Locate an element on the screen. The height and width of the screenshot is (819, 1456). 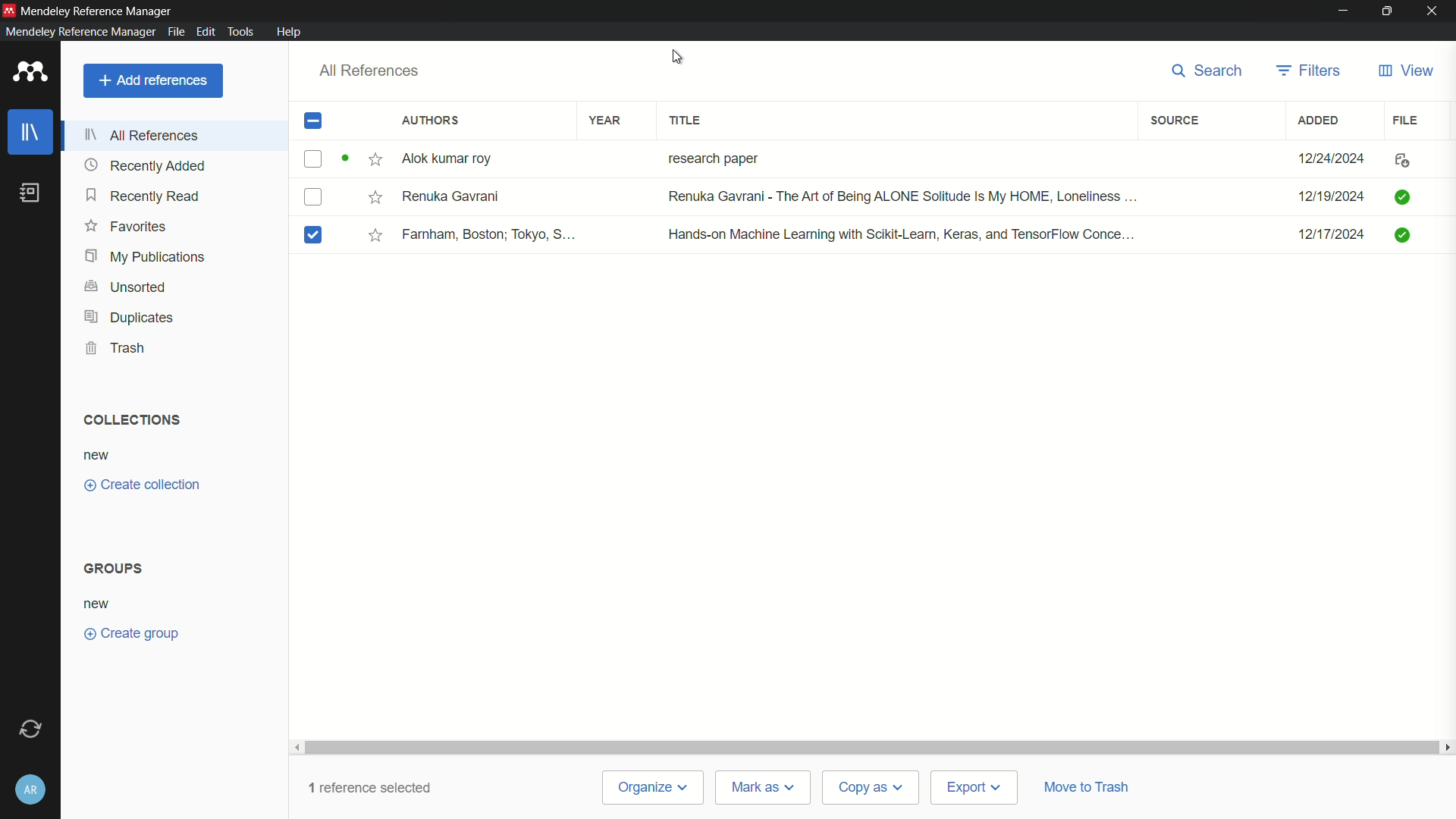
12/19/2024 is located at coordinates (1330, 198).